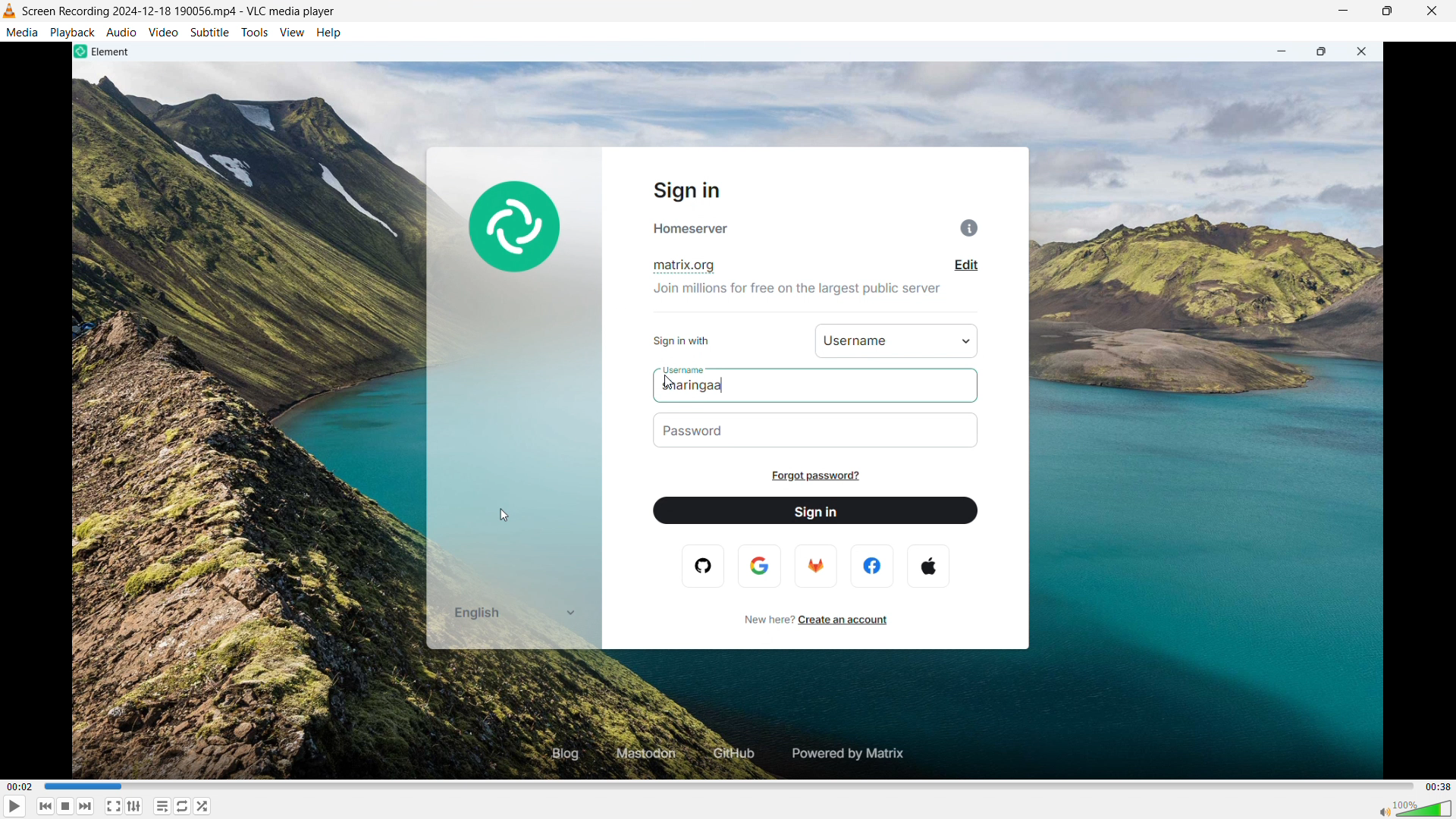 This screenshot has width=1456, height=819. What do you see at coordinates (570, 758) in the screenshot?
I see `blog` at bounding box center [570, 758].